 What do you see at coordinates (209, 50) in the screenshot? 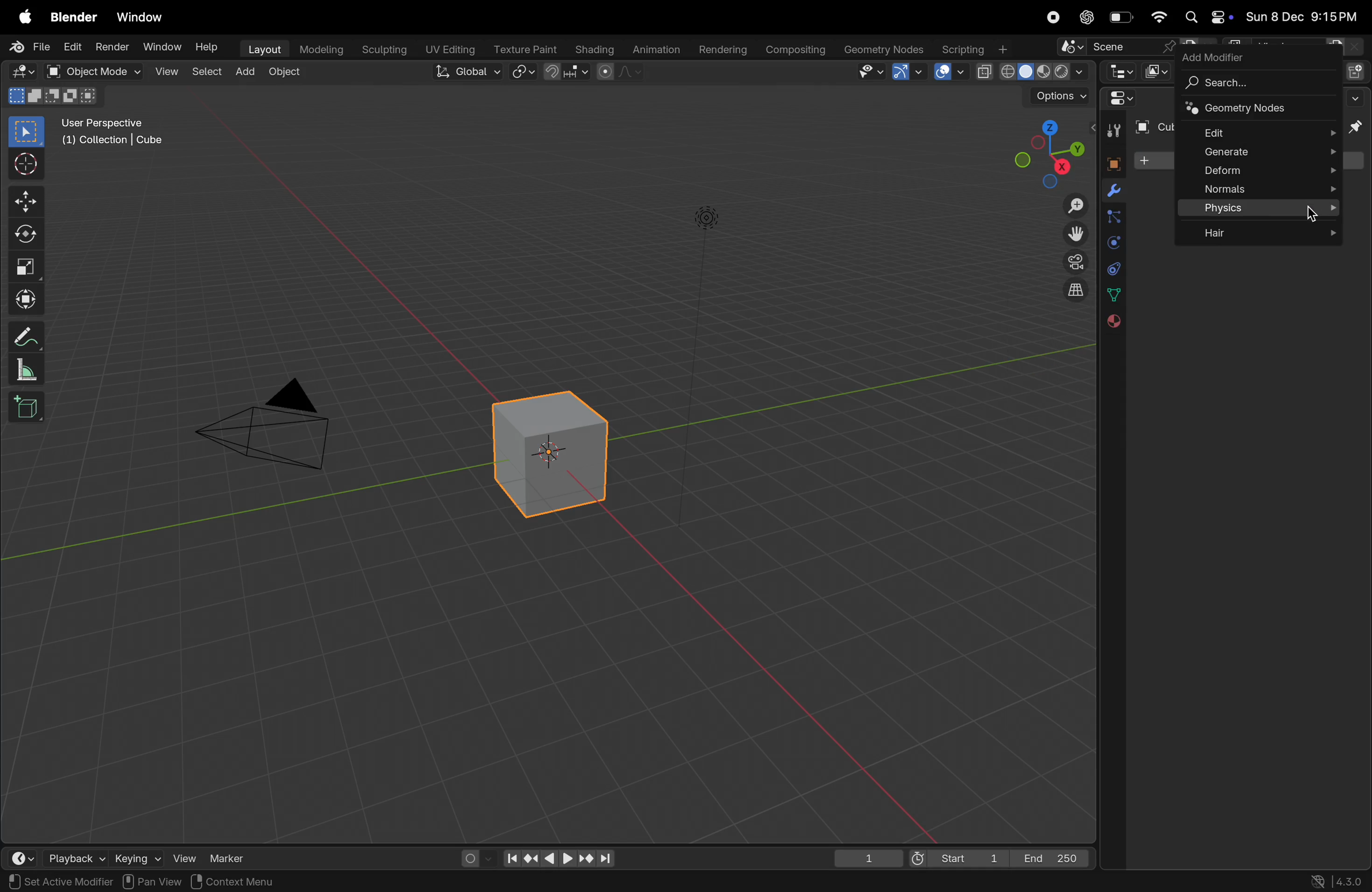
I see `help` at bounding box center [209, 50].